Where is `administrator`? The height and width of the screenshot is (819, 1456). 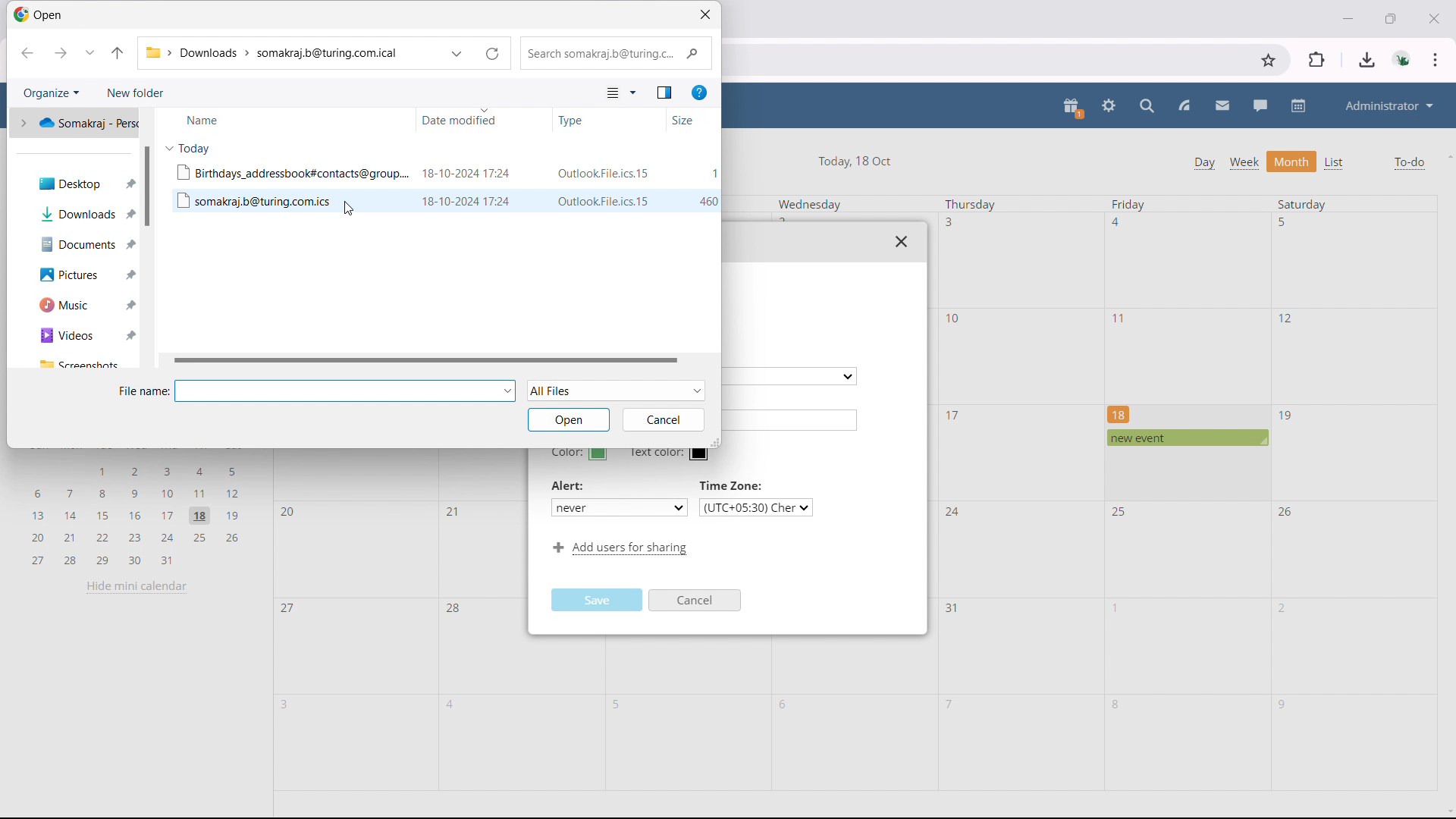 administrator is located at coordinates (1388, 105).